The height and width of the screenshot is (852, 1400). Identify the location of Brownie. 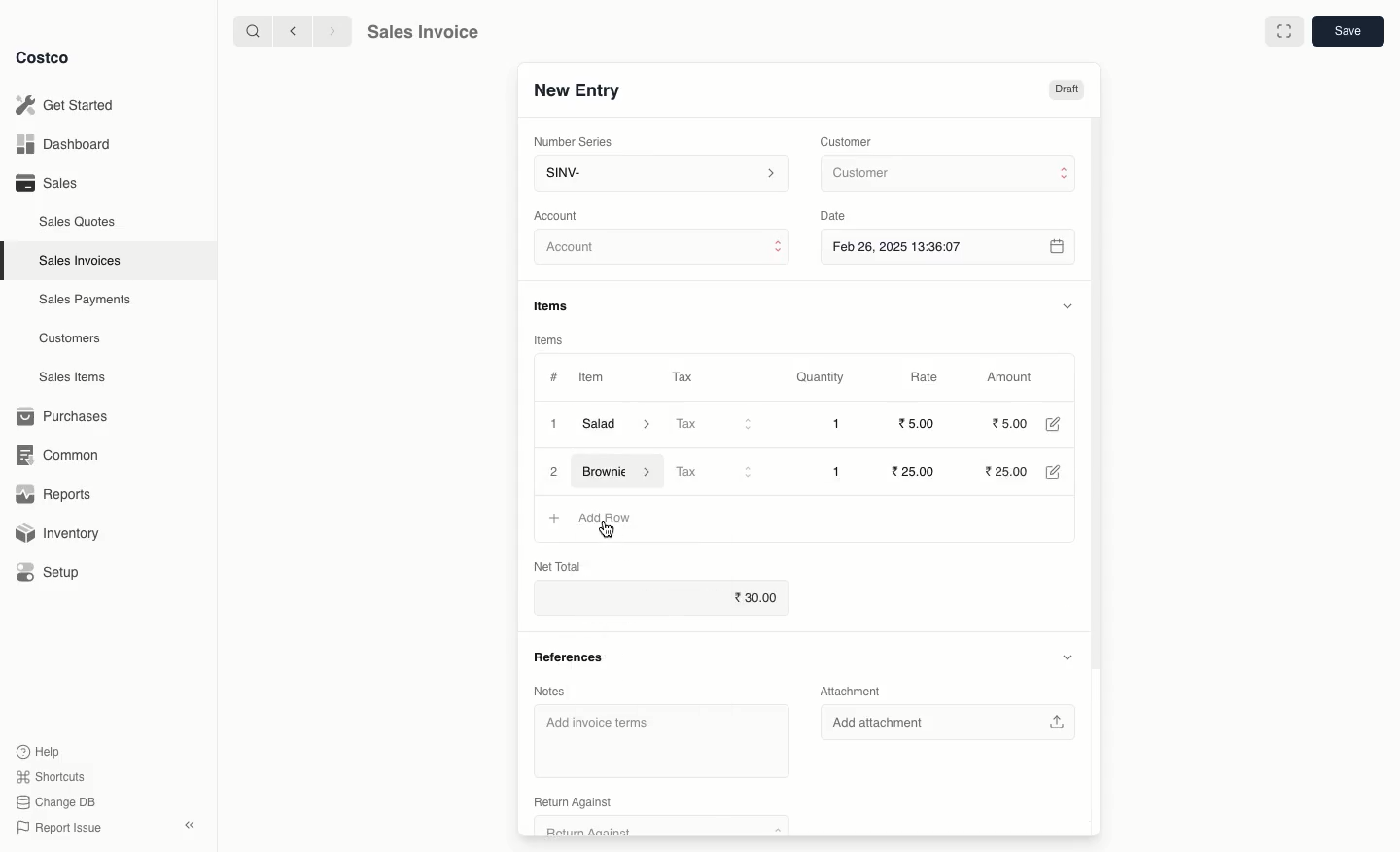
(621, 473).